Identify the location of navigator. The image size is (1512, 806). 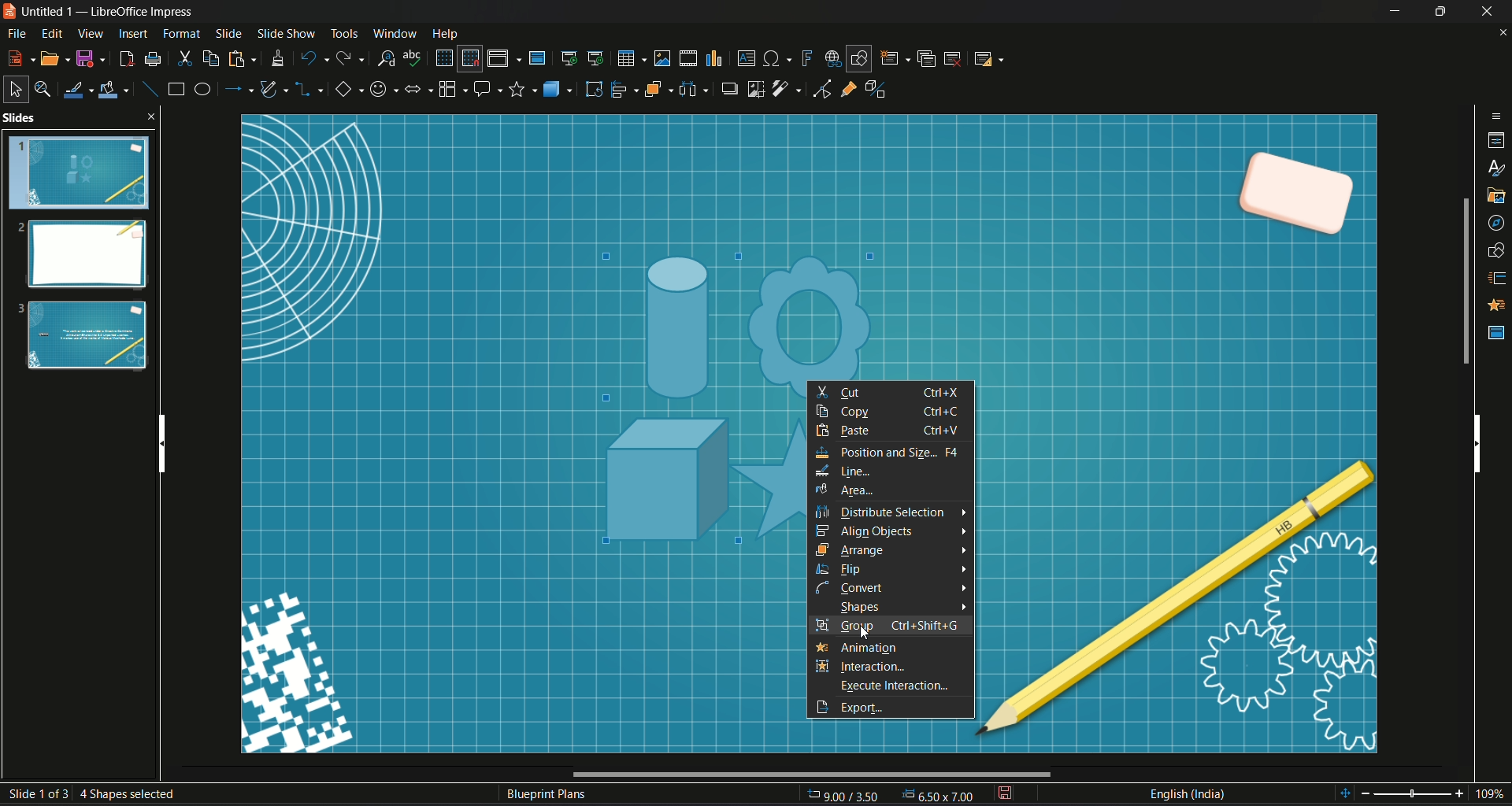
(1496, 225).